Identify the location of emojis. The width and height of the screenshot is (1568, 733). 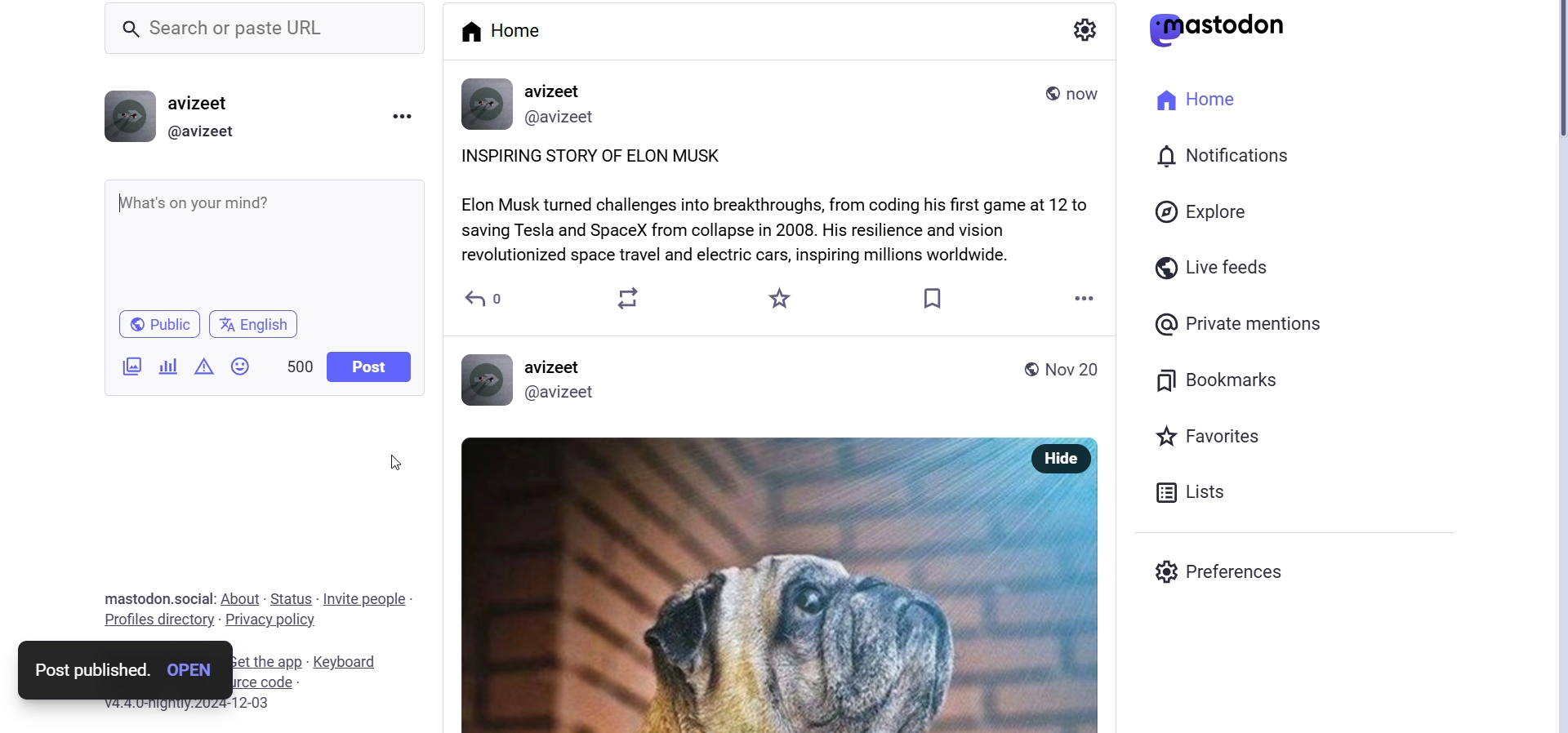
(249, 366).